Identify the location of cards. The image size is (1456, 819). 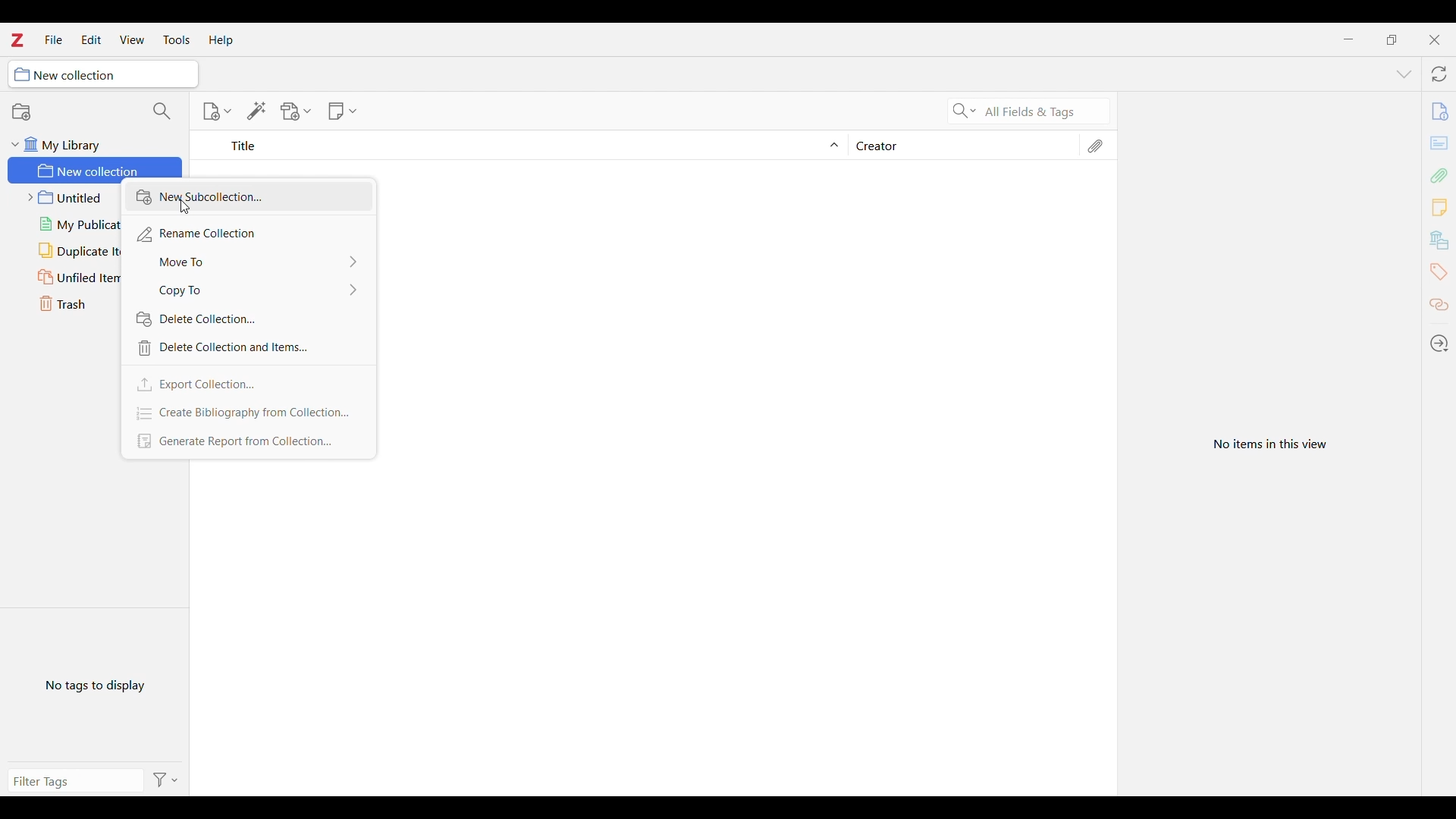
(1441, 145).